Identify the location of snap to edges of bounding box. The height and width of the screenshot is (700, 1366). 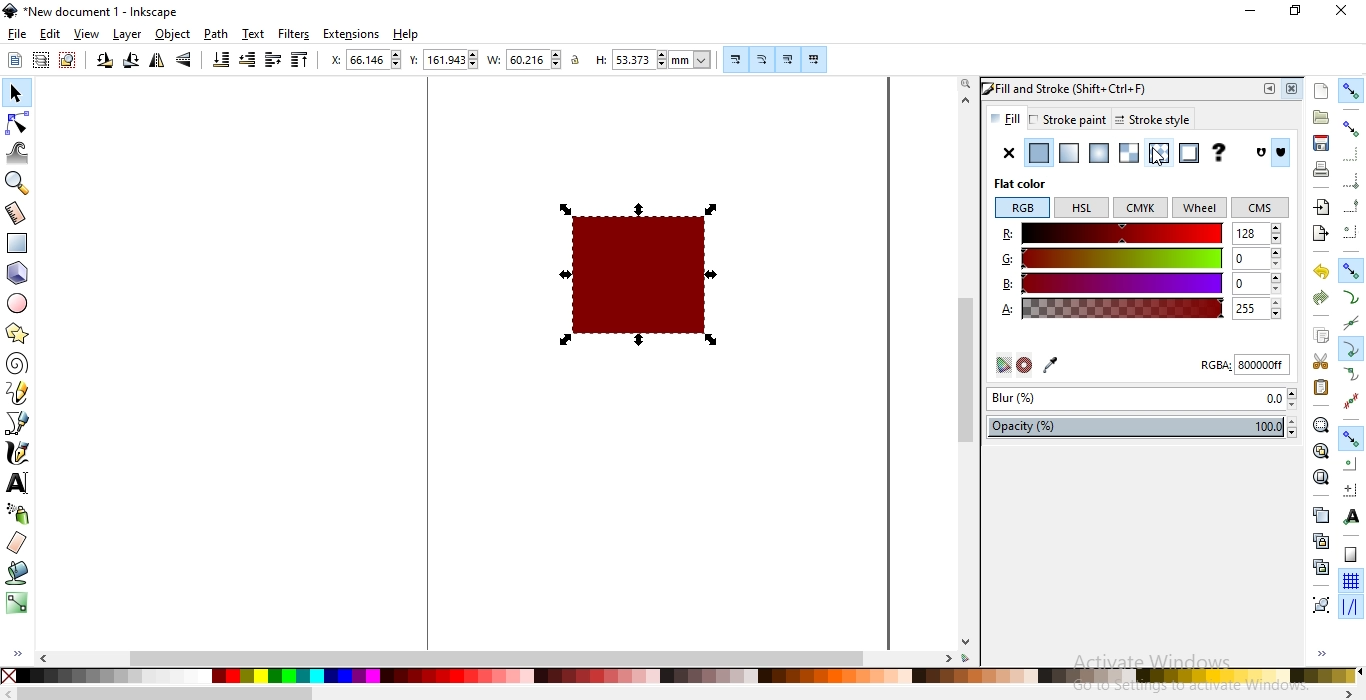
(1349, 153).